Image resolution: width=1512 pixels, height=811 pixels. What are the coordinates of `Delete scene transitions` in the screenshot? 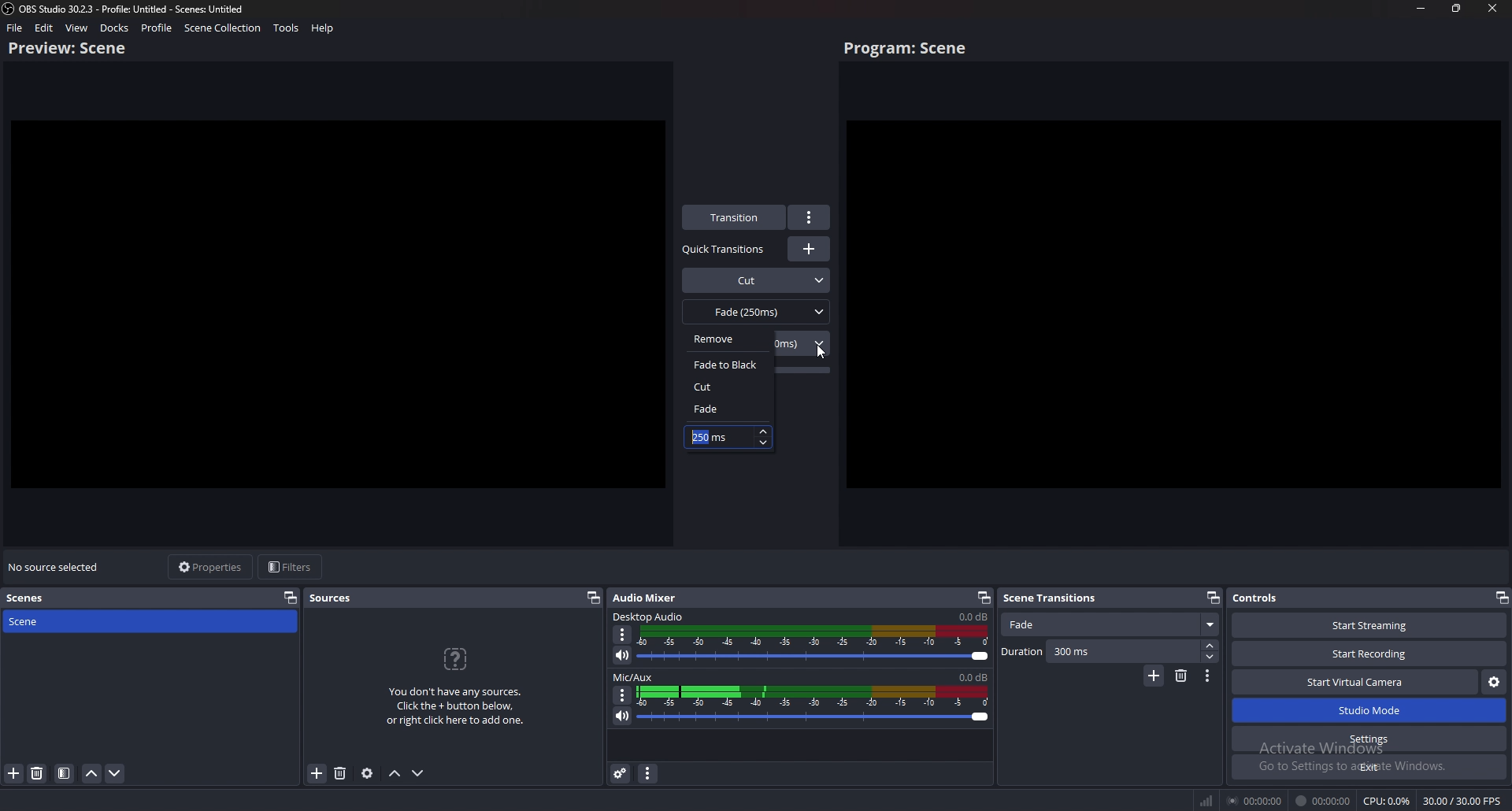 It's located at (1181, 676).